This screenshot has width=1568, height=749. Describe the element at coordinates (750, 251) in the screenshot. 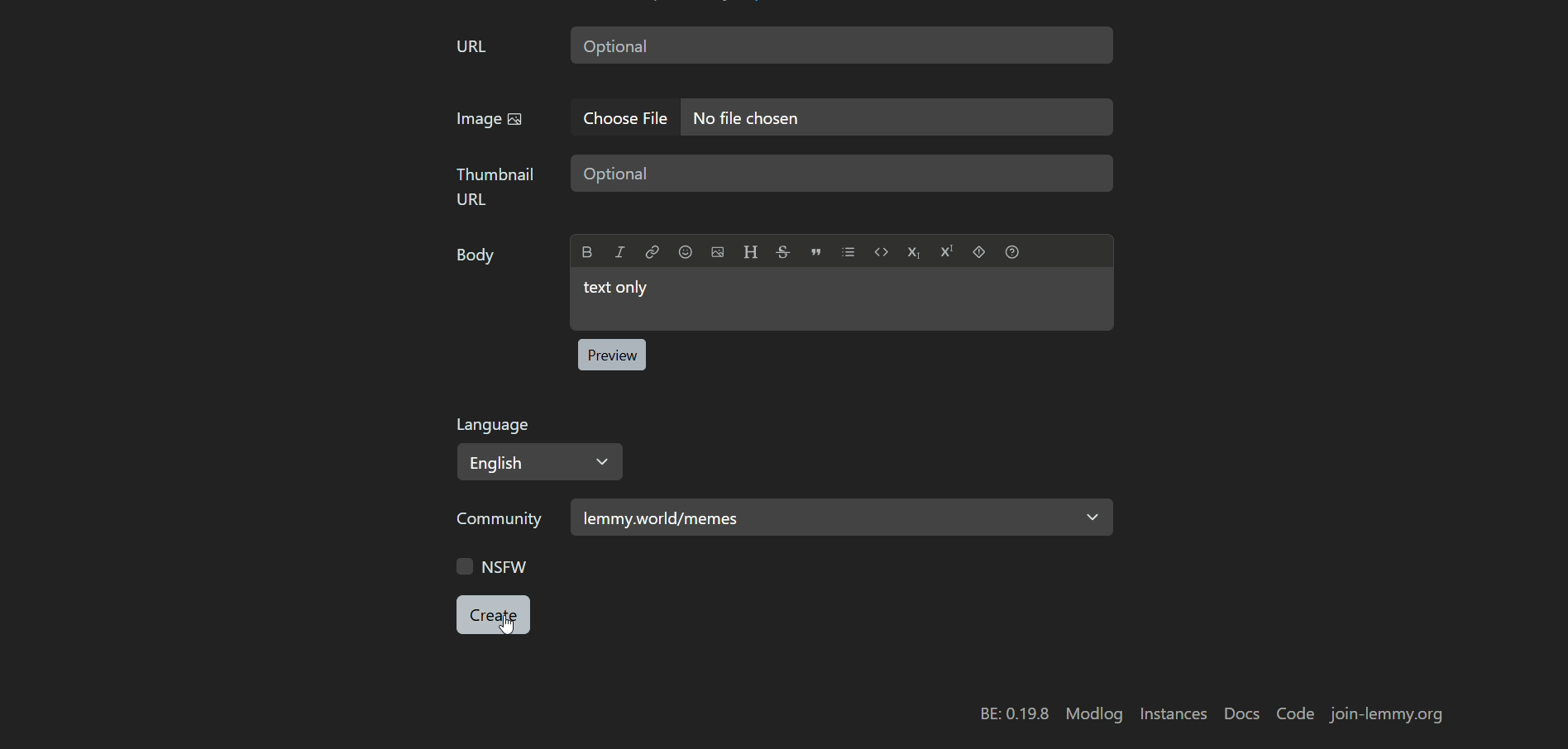

I see `Header` at that location.